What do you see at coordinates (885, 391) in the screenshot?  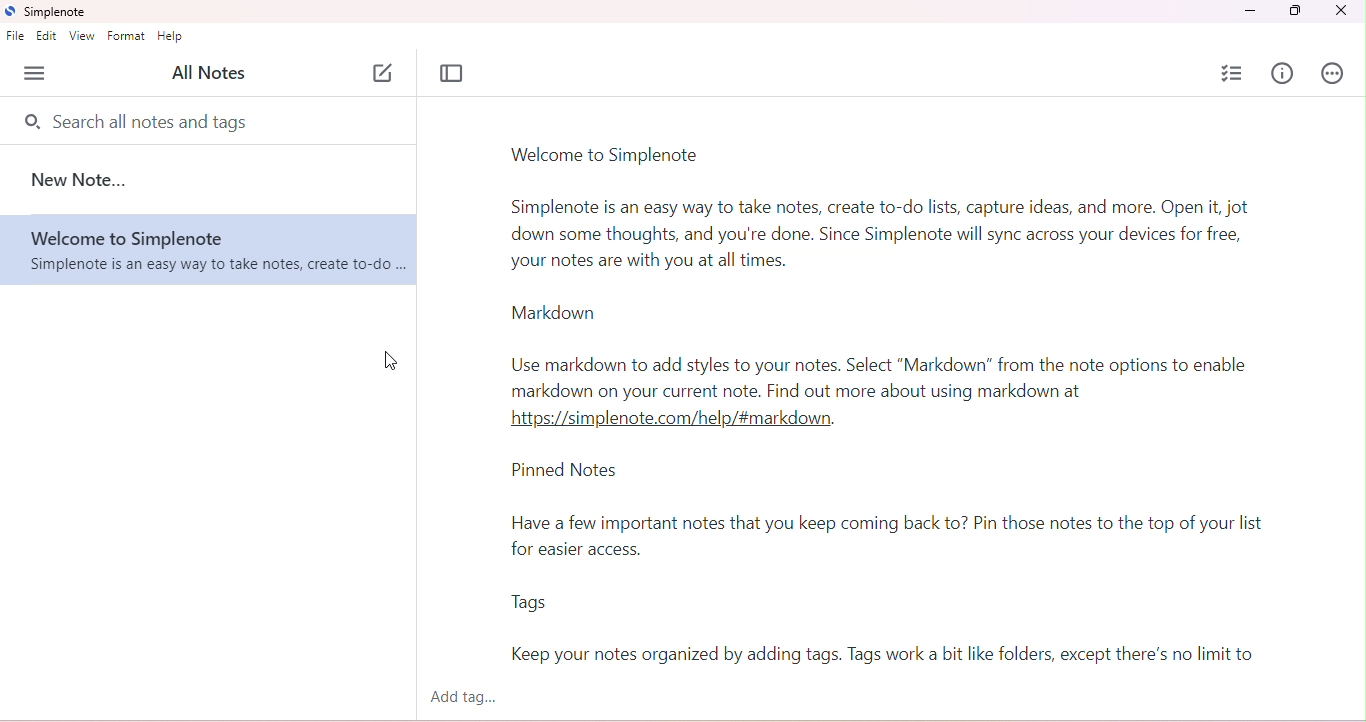 I see `markdown text` at bounding box center [885, 391].